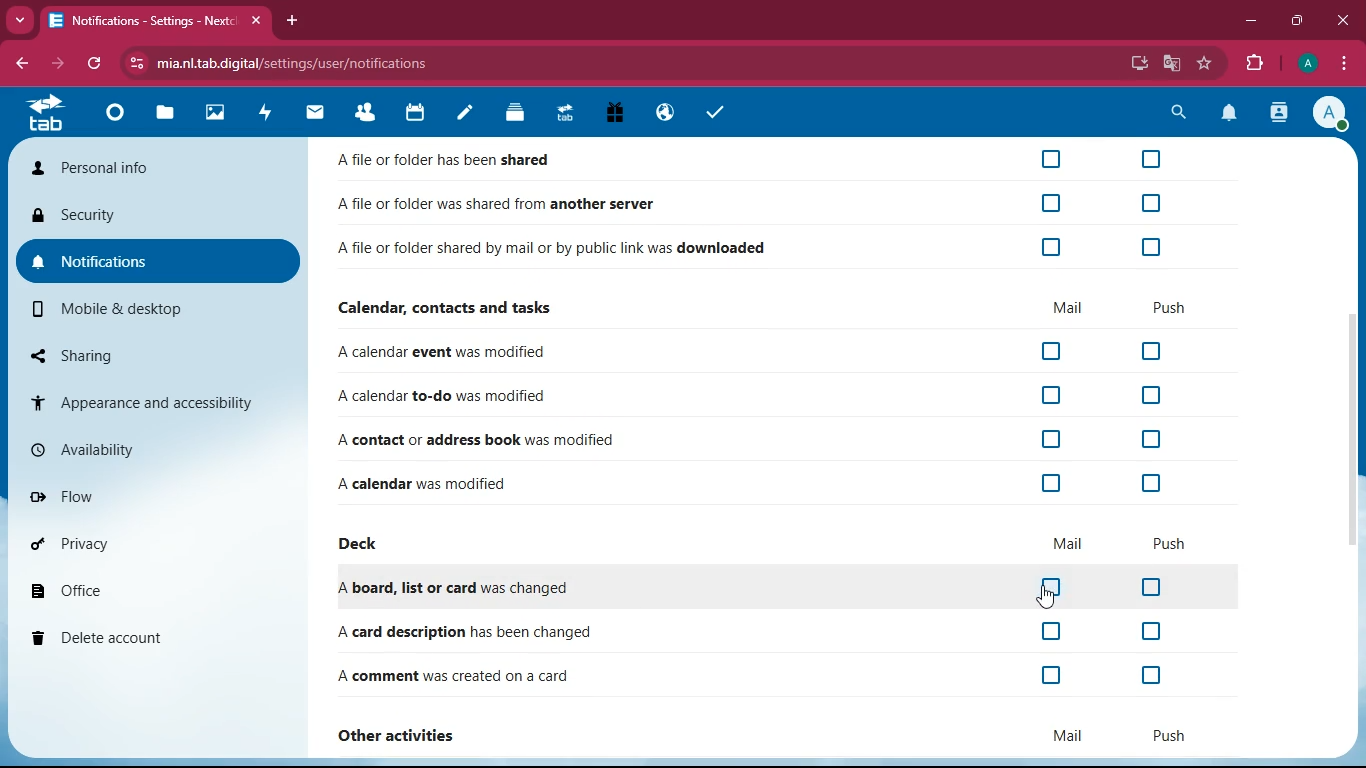 This screenshot has width=1366, height=768. What do you see at coordinates (1280, 114) in the screenshot?
I see `activity` at bounding box center [1280, 114].